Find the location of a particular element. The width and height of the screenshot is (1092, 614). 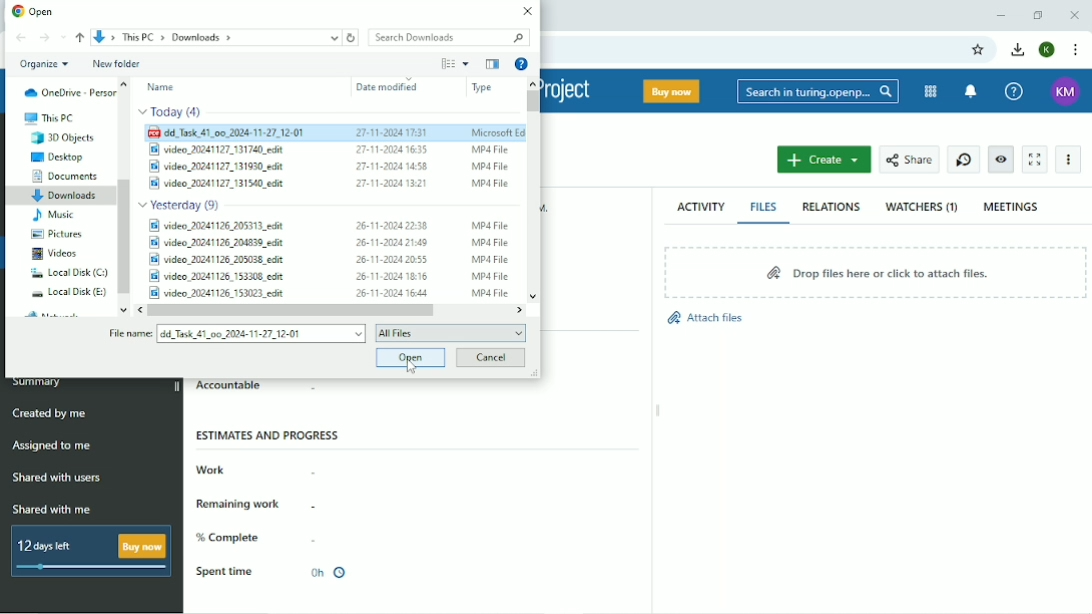

Cursor is located at coordinates (414, 366).